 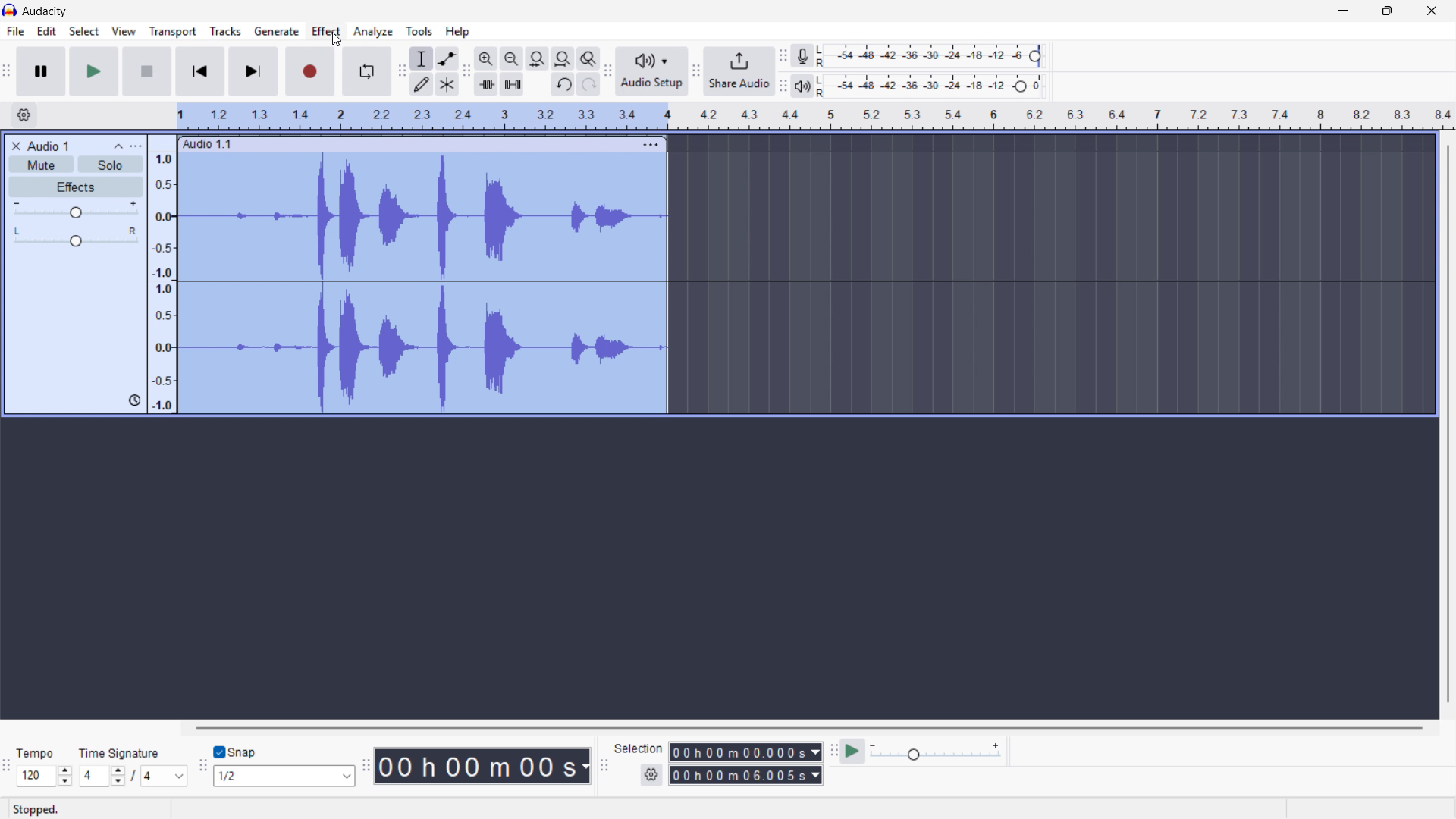 What do you see at coordinates (402, 71) in the screenshot?
I see `Tools toolbar` at bounding box center [402, 71].